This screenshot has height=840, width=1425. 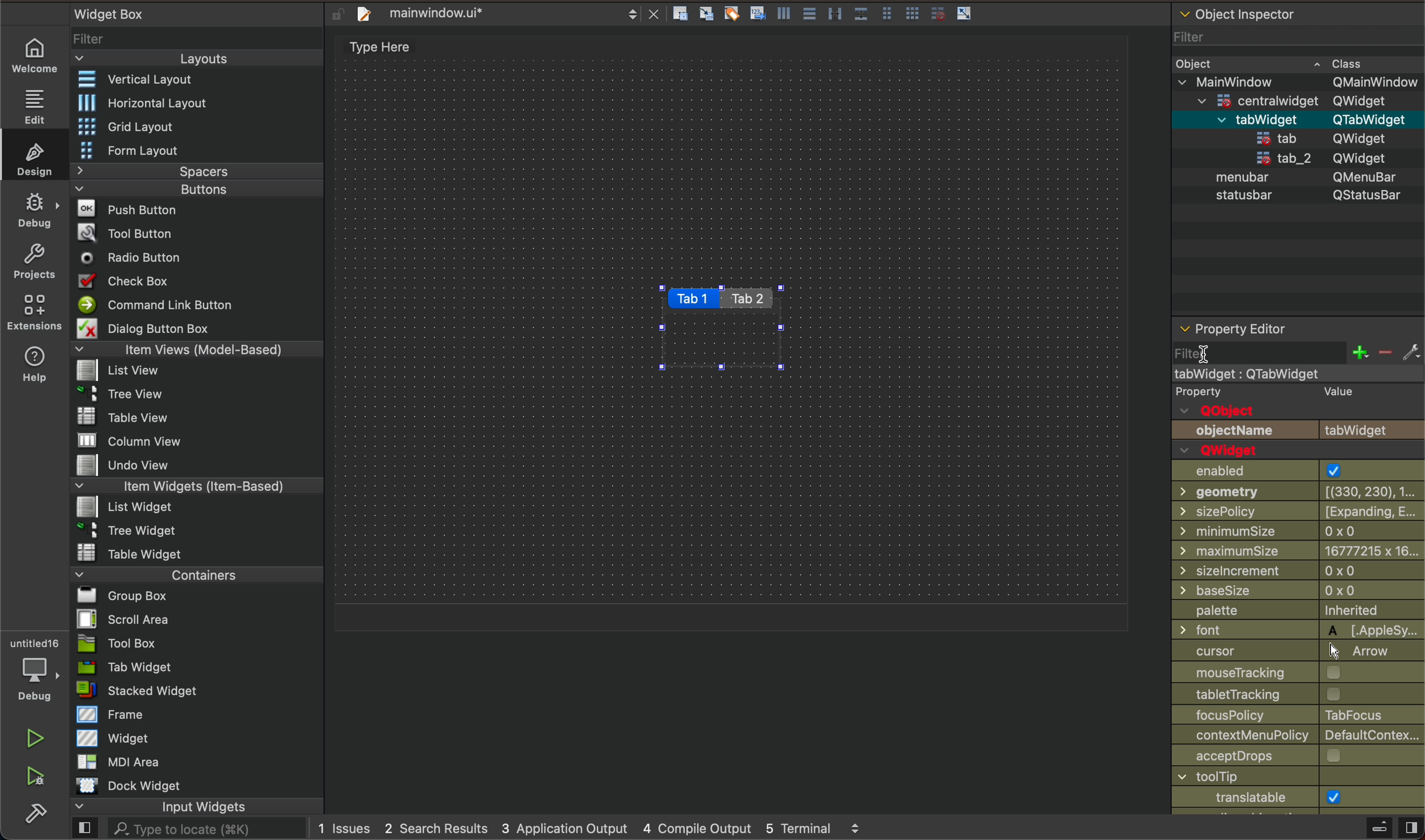 I want to click on run, so click(x=23, y=737).